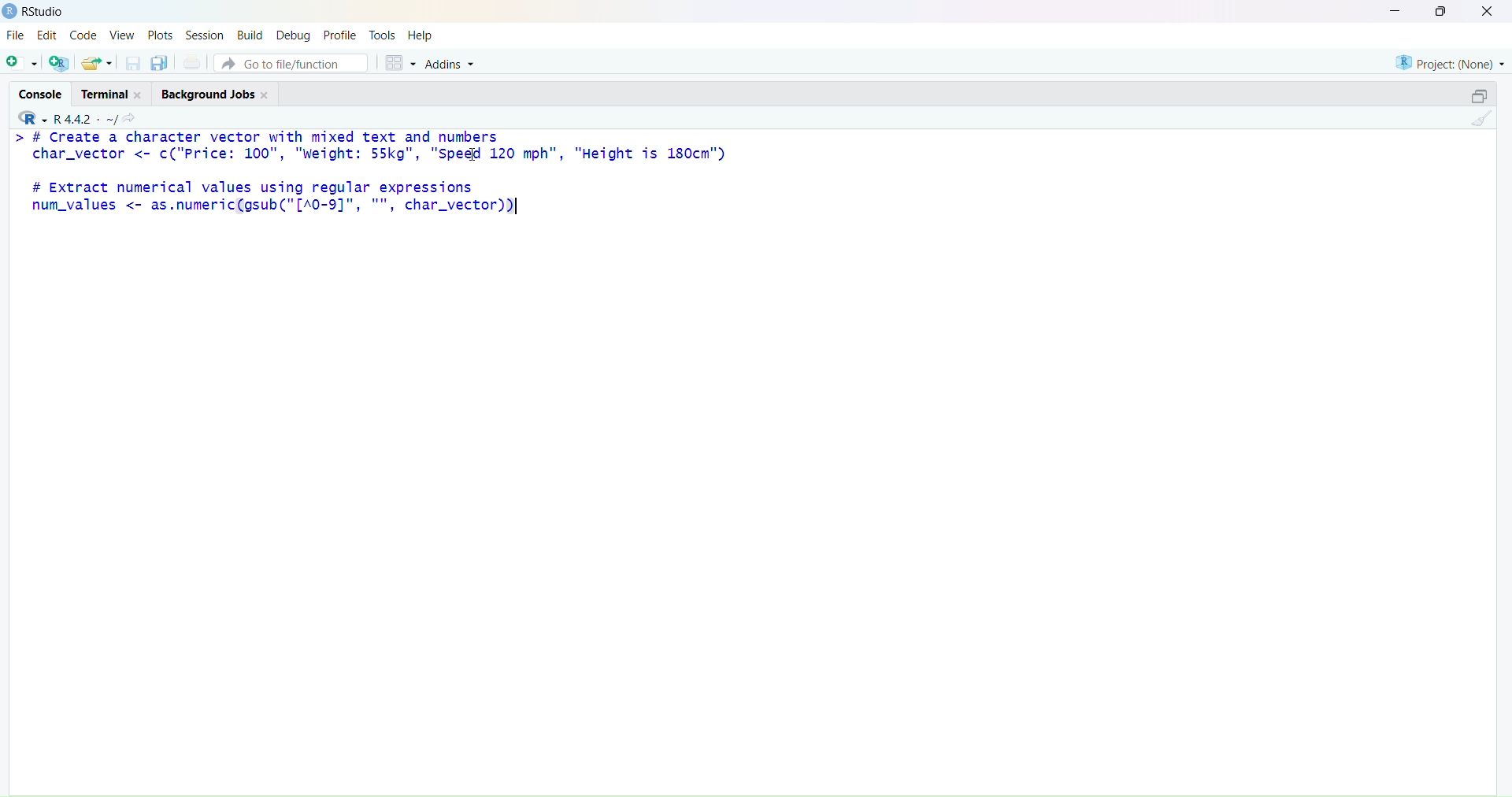 Image resolution: width=1512 pixels, height=797 pixels. I want to click on Save , so click(134, 63).